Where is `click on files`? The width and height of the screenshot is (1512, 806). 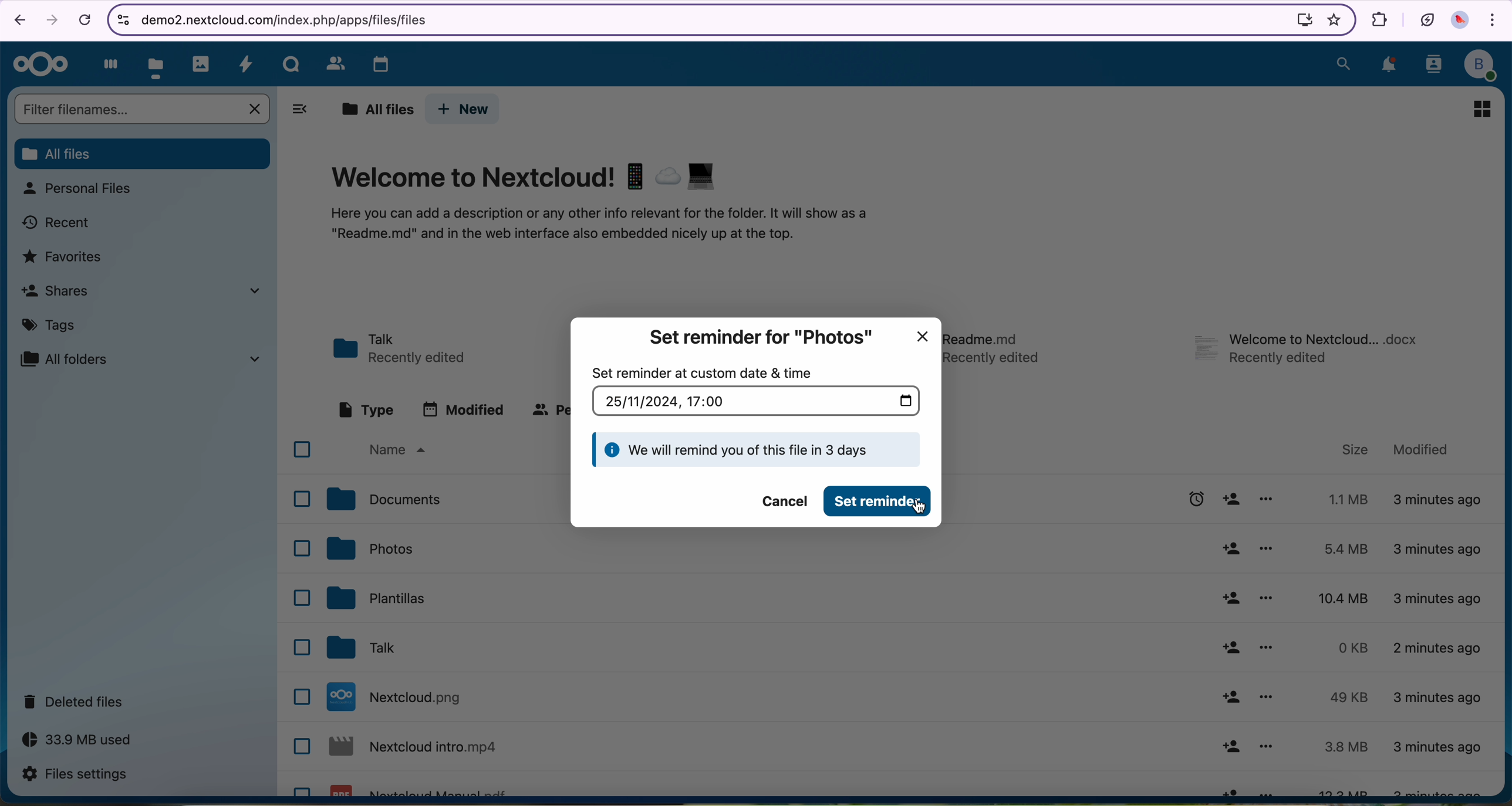
click on files is located at coordinates (158, 62).